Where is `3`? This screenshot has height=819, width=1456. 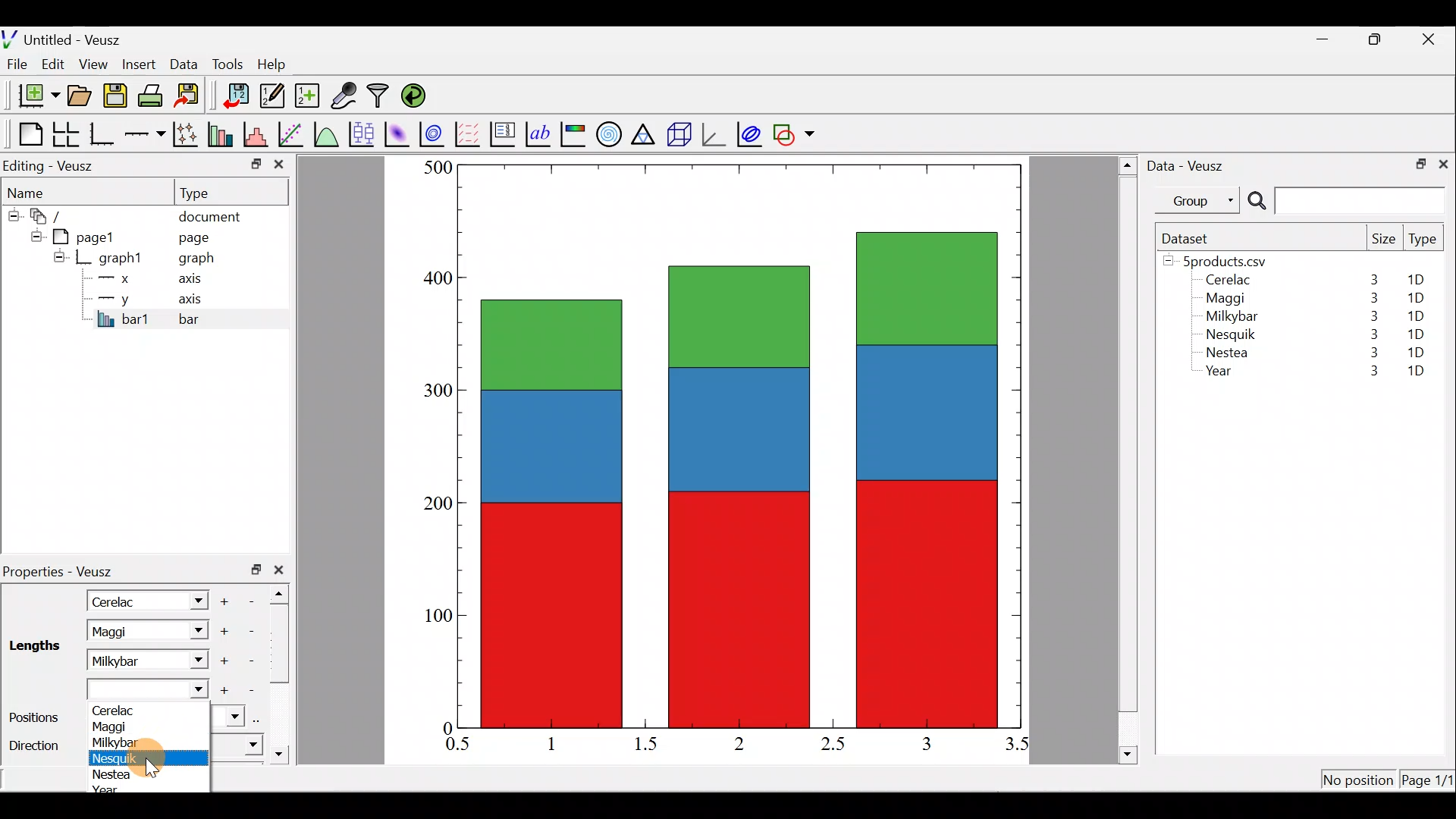
3 is located at coordinates (1373, 279).